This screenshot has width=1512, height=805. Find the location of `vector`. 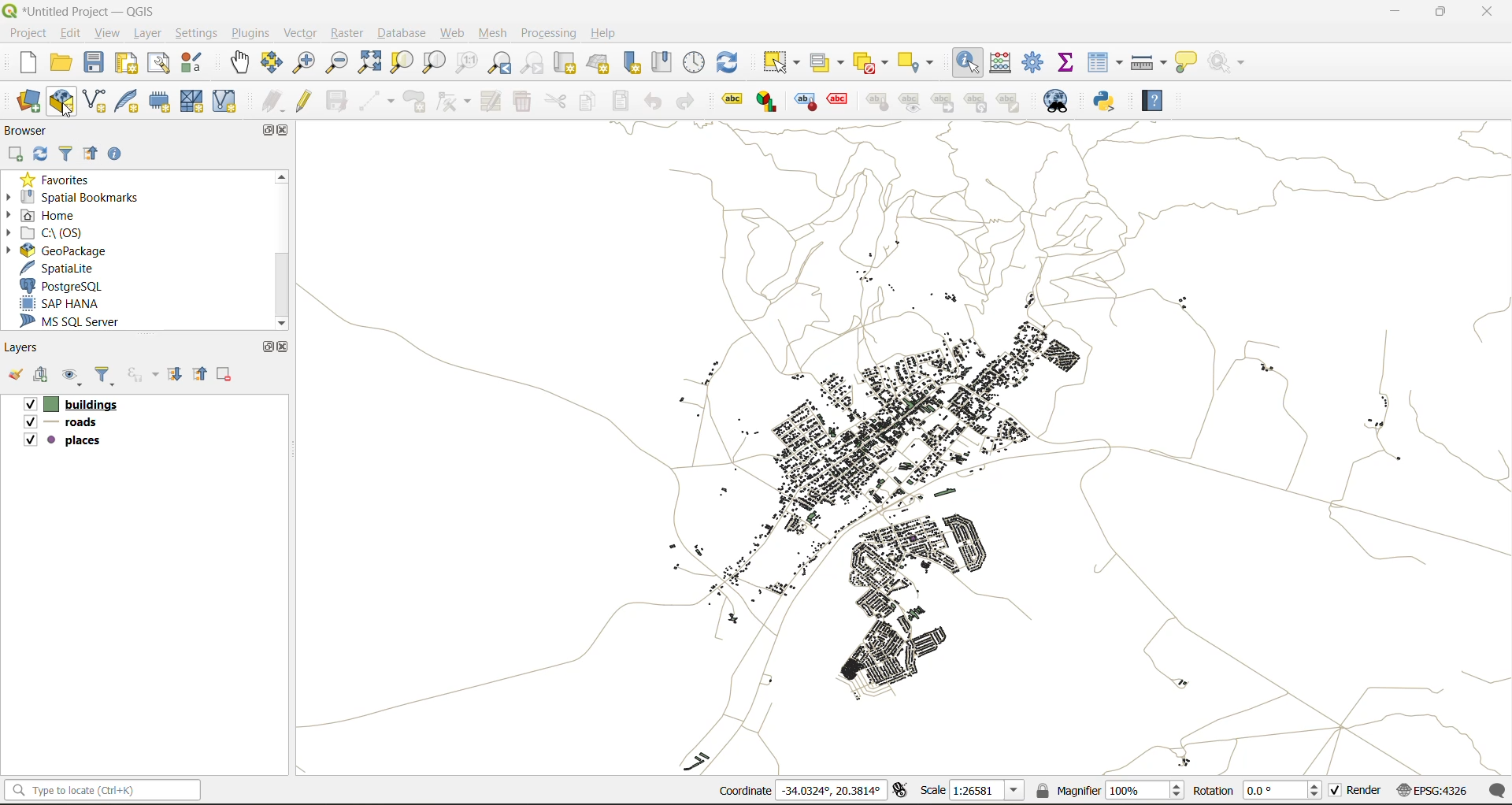

vector is located at coordinates (300, 33).